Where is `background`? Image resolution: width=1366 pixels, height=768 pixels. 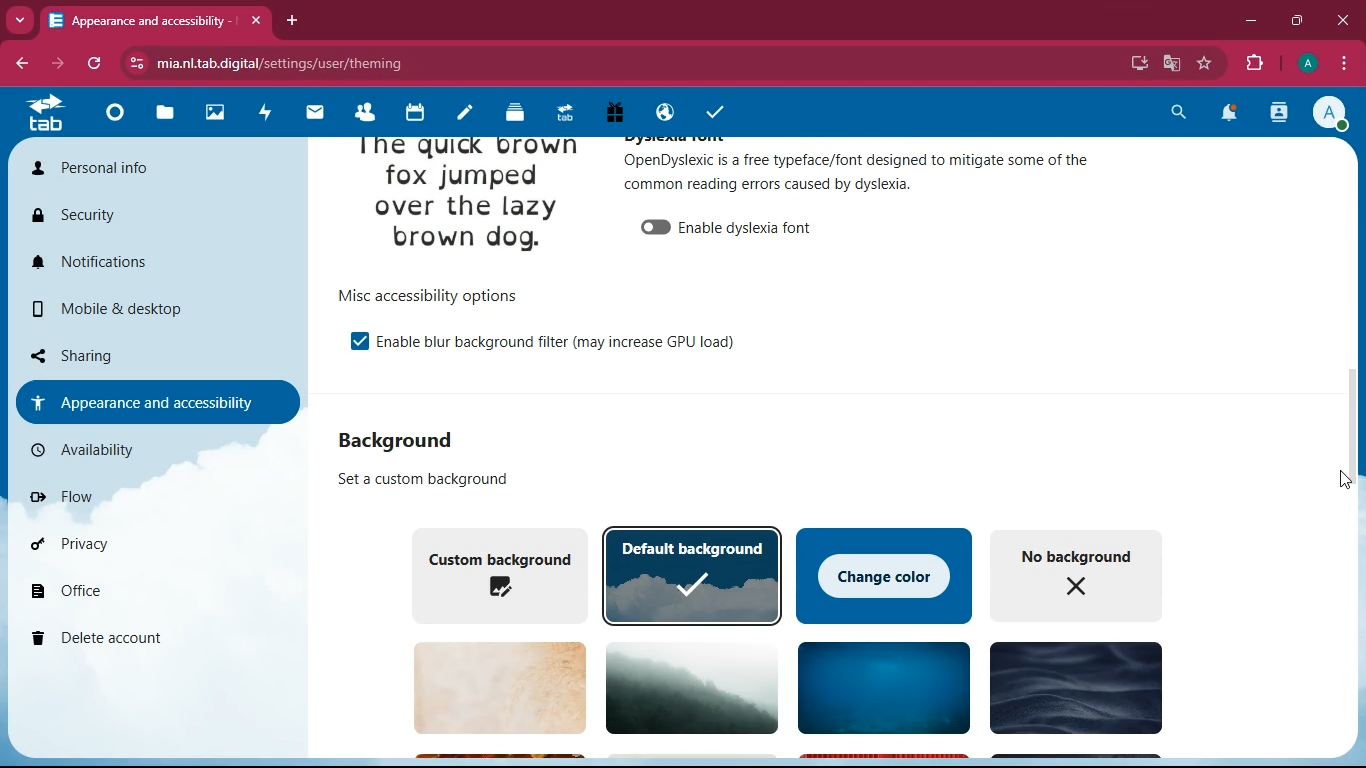 background is located at coordinates (412, 439).